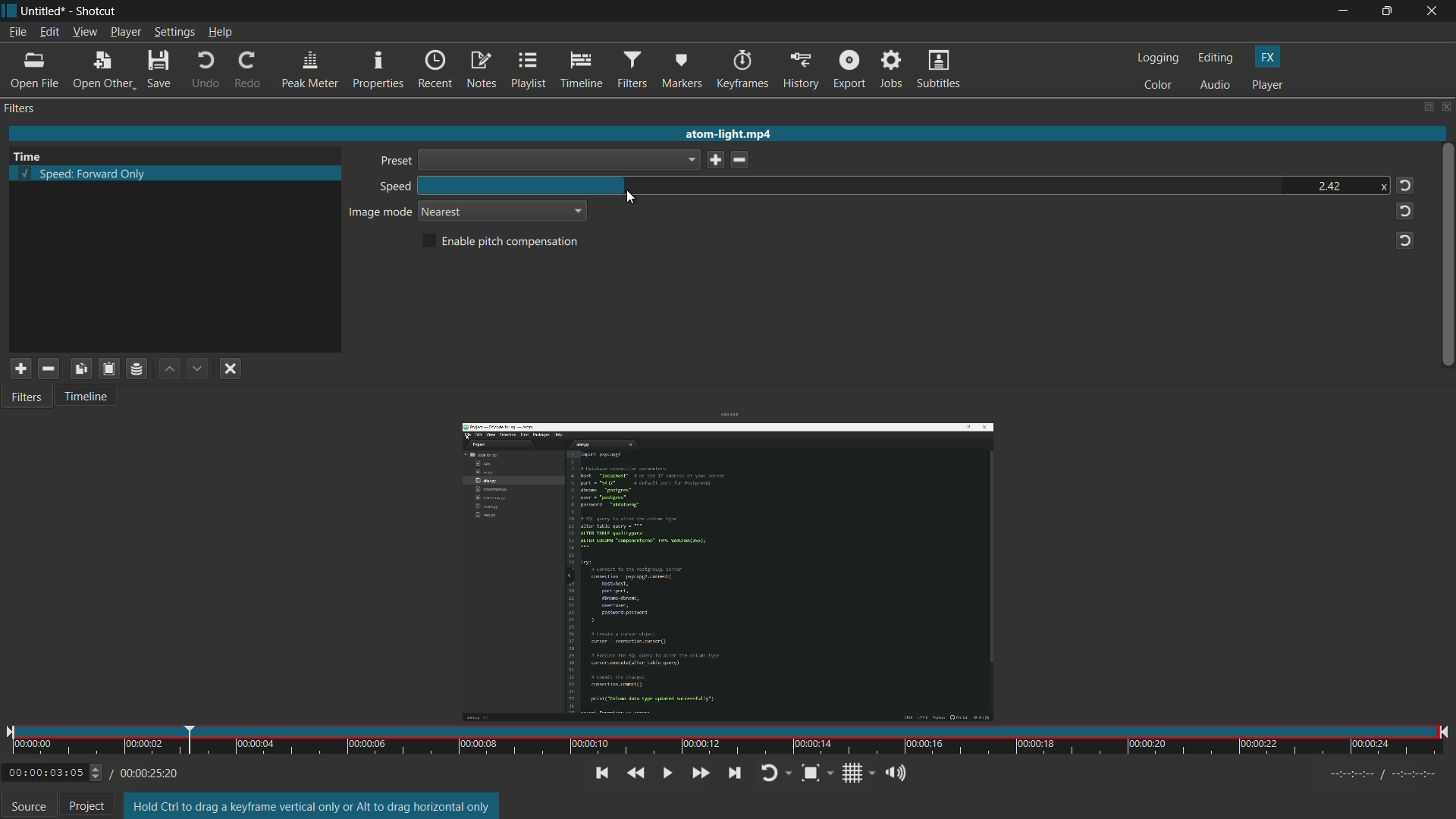 The height and width of the screenshot is (819, 1456). What do you see at coordinates (206, 71) in the screenshot?
I see `undo` at bounding box center [206, 71].